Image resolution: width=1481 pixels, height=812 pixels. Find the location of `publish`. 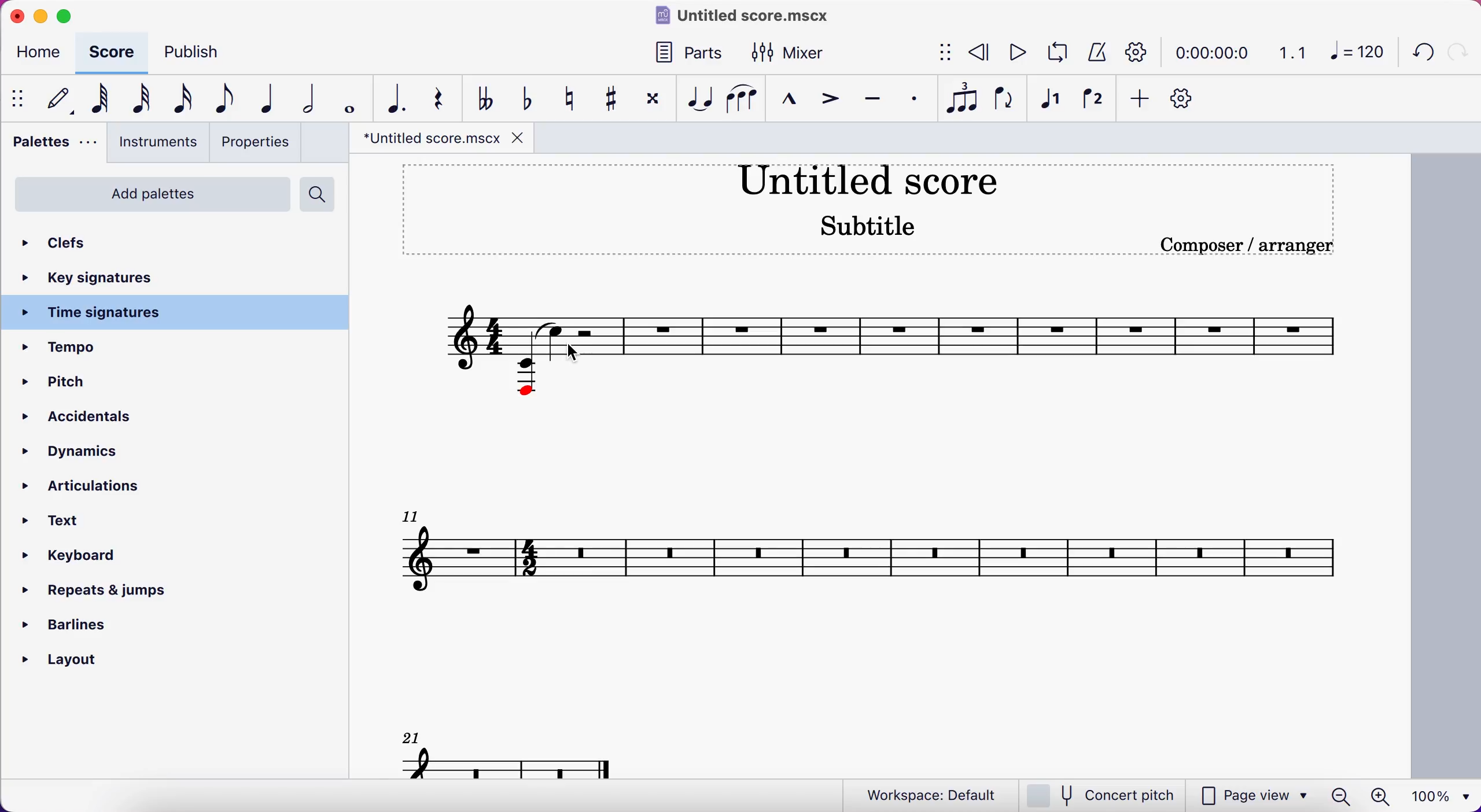

publish is located at coordinates (205, 53).